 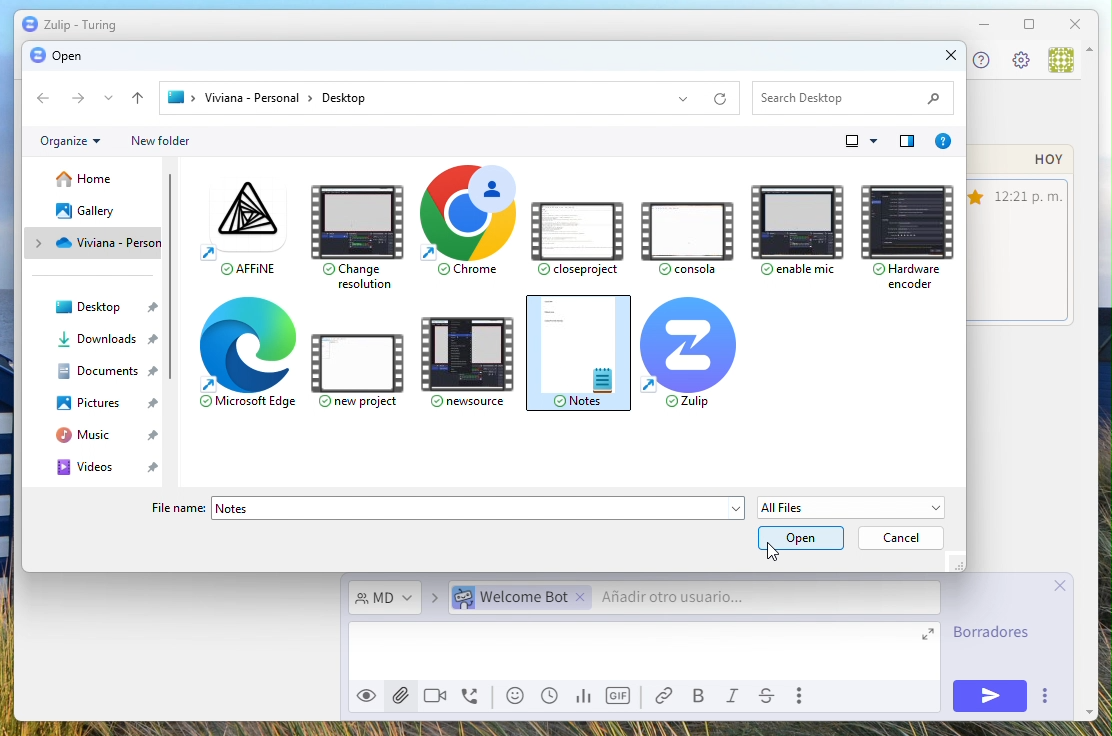 I want to click on attachment, so click(x=399, y=694).